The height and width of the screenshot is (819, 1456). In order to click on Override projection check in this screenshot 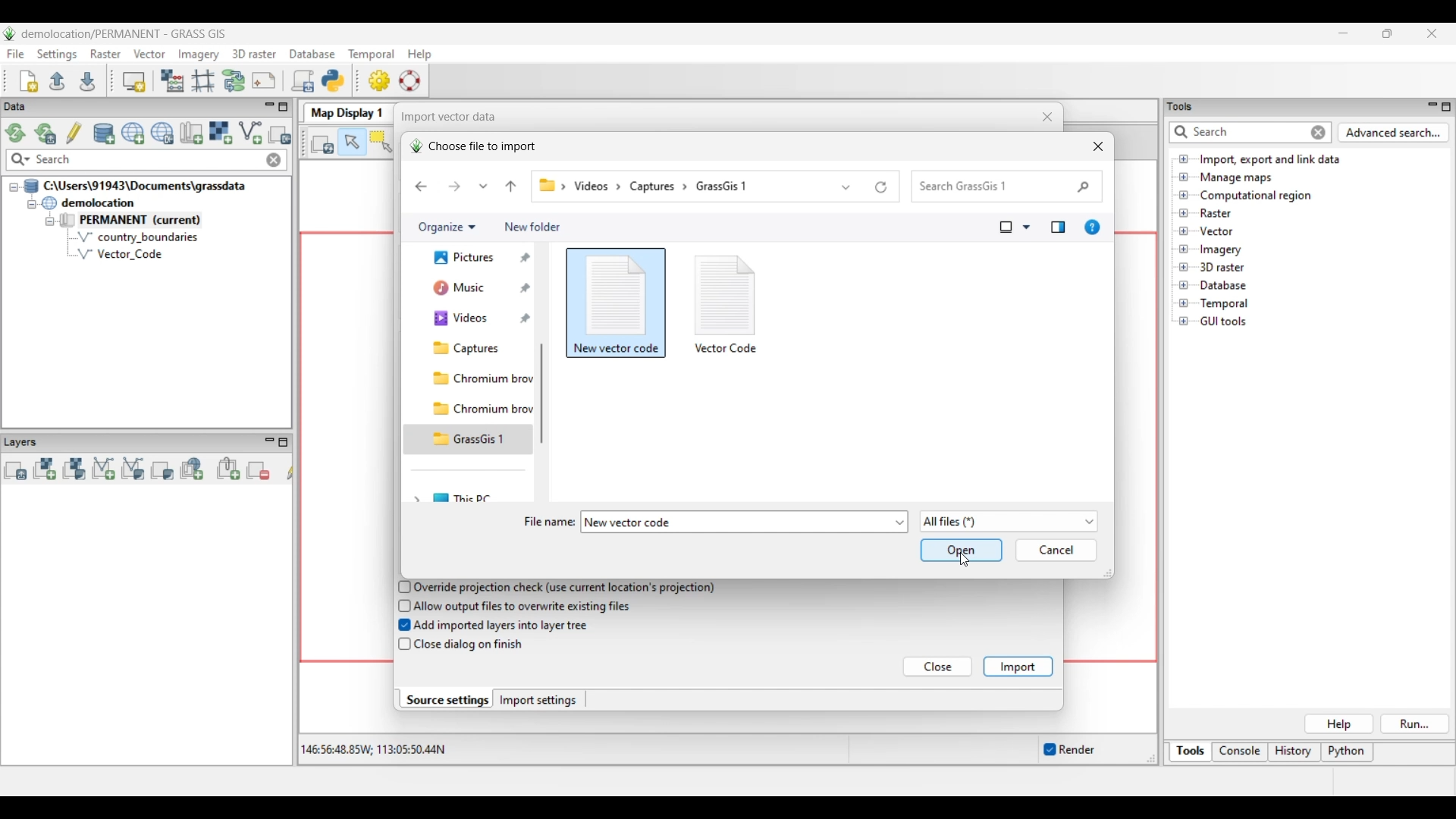, I will do `click(563, 588)`.